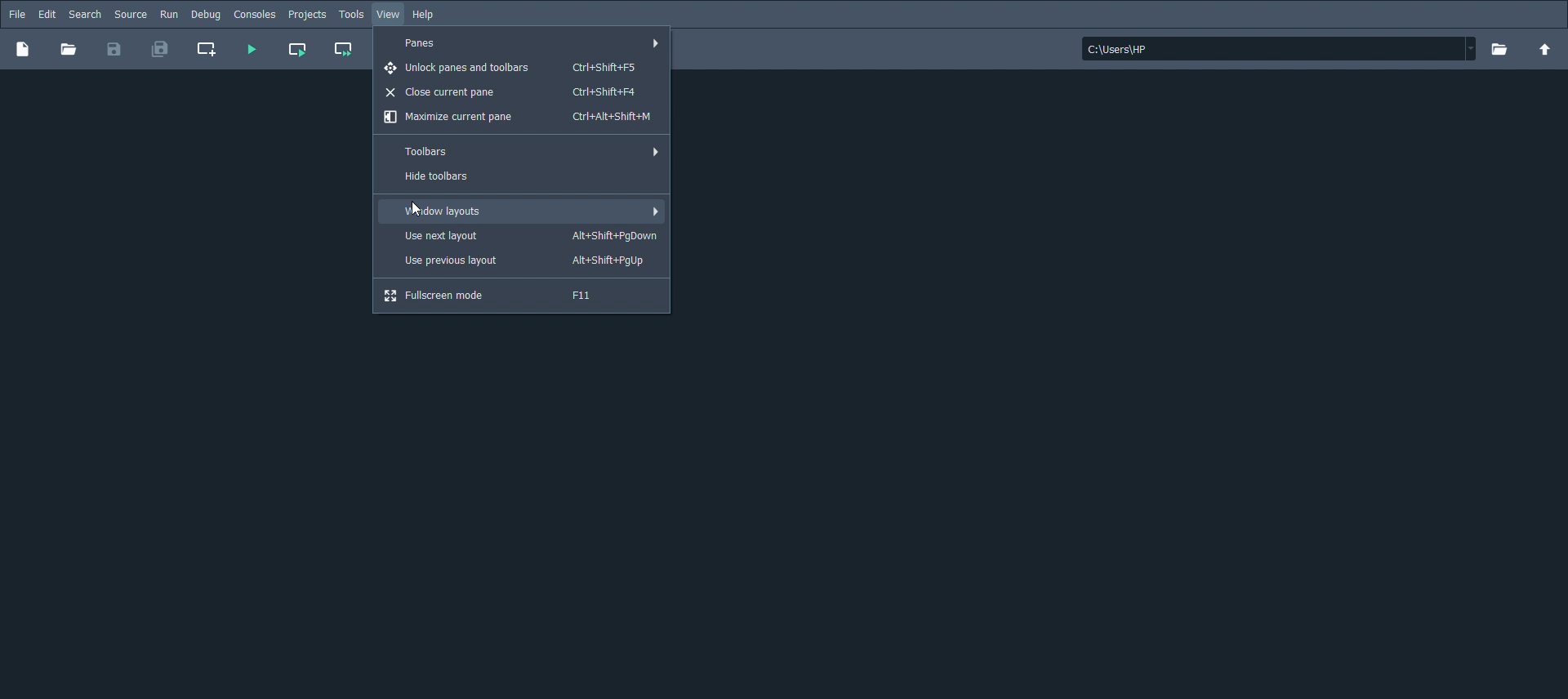 This screenshot has width=1568, height=699. I want to click on Panes, so click(528, 44).